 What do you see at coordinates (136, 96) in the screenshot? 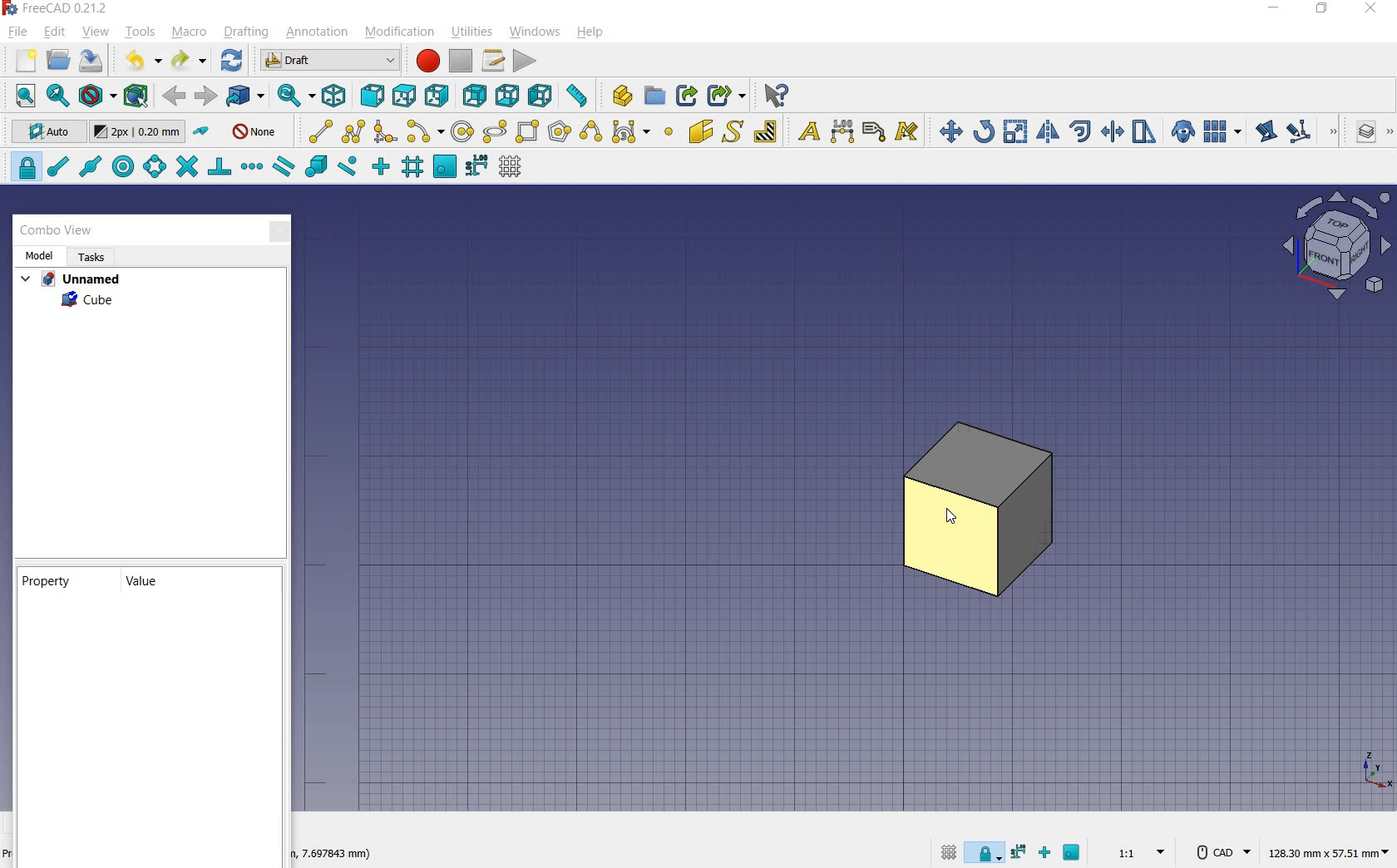
I see `bounding box` at bounding box center [136, 96].